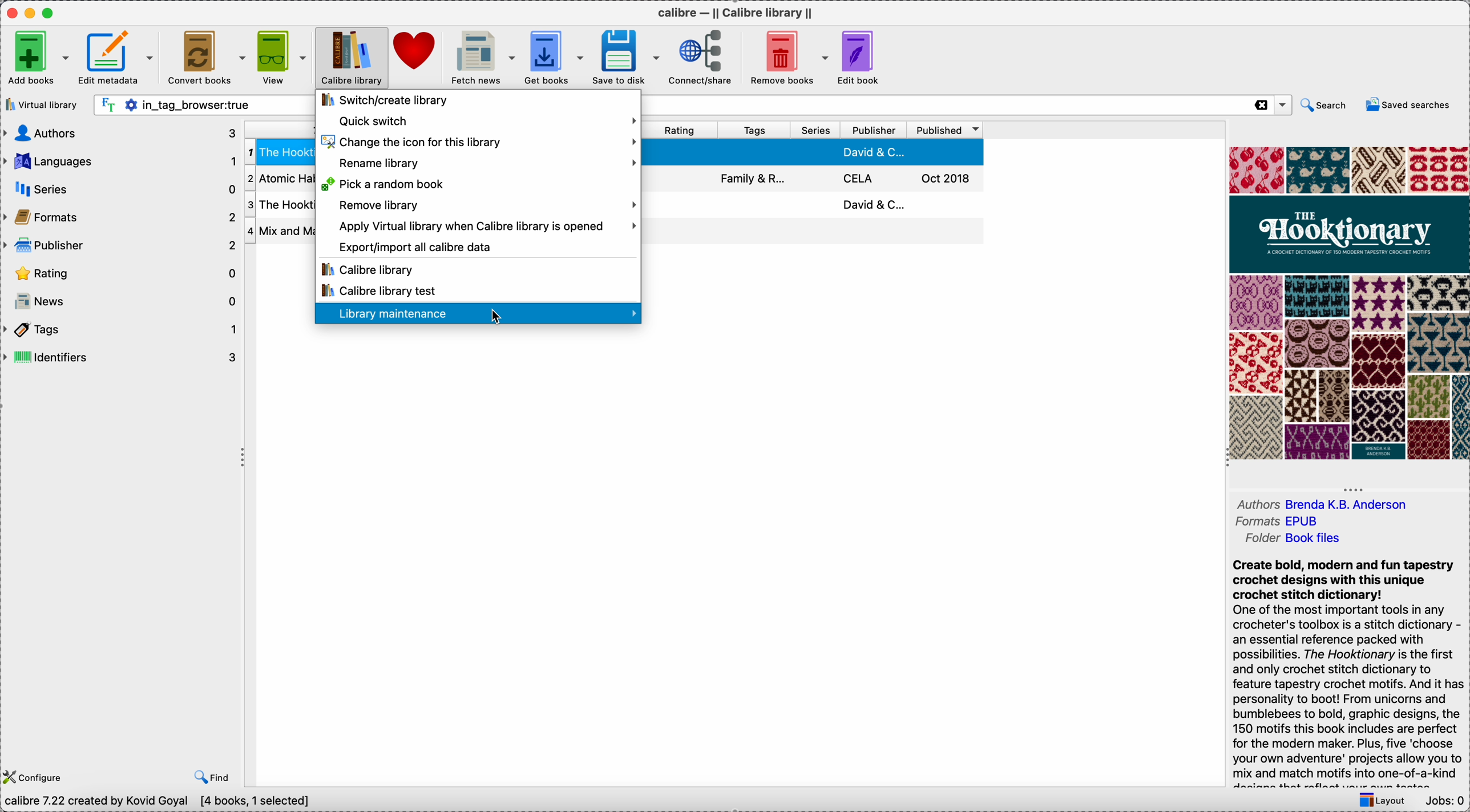 The height and width of the screenshot is (812, 1470). I want to click on Jobs: 0, so click(1445, 801).